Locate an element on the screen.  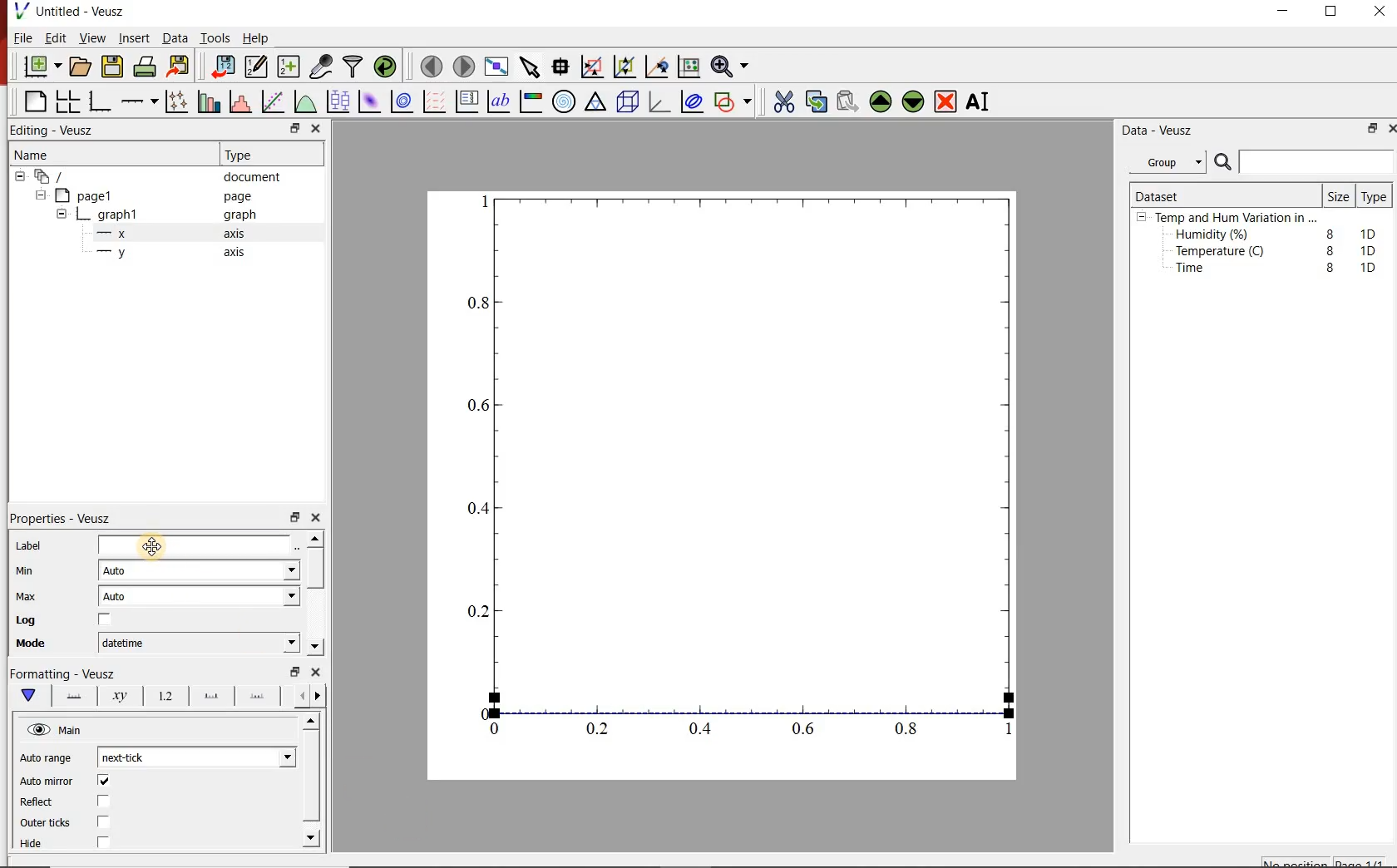
copy the selected widget is located at coordinates (816, 101).